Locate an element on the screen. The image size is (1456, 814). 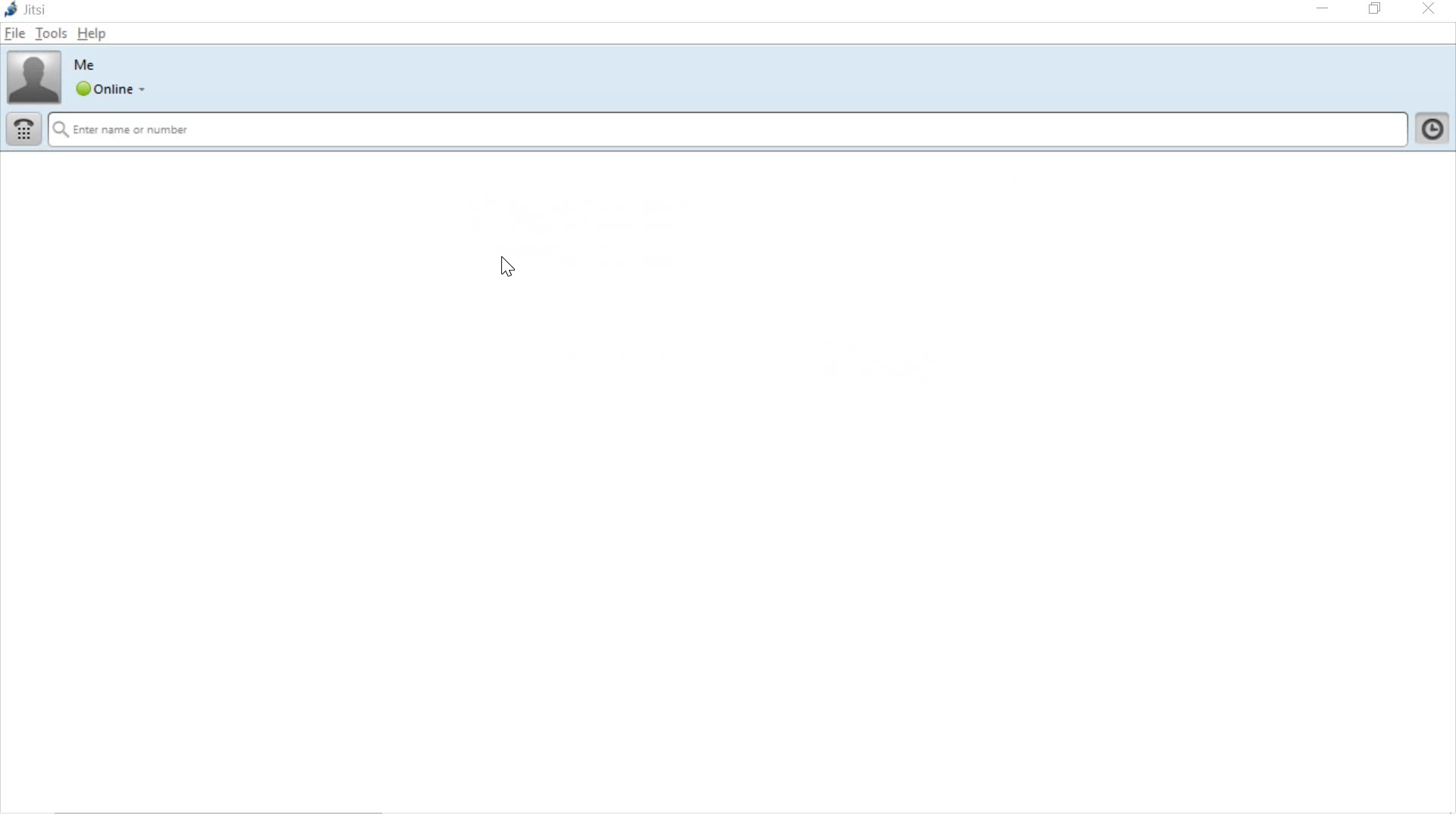
CURSOR  is located at coordinates (504, 268).